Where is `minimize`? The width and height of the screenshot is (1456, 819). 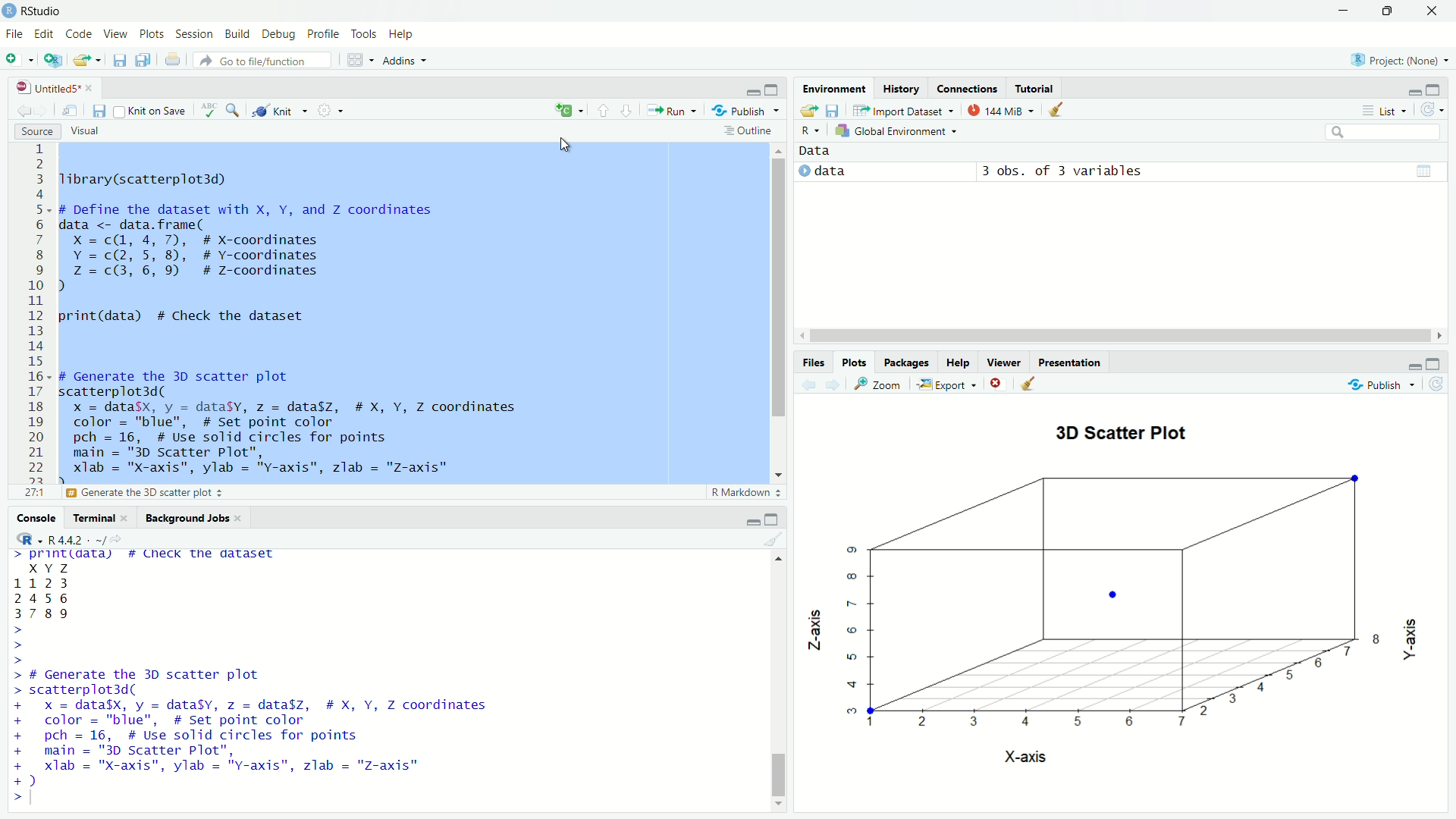 minimize is located at coordinates (752, 91).